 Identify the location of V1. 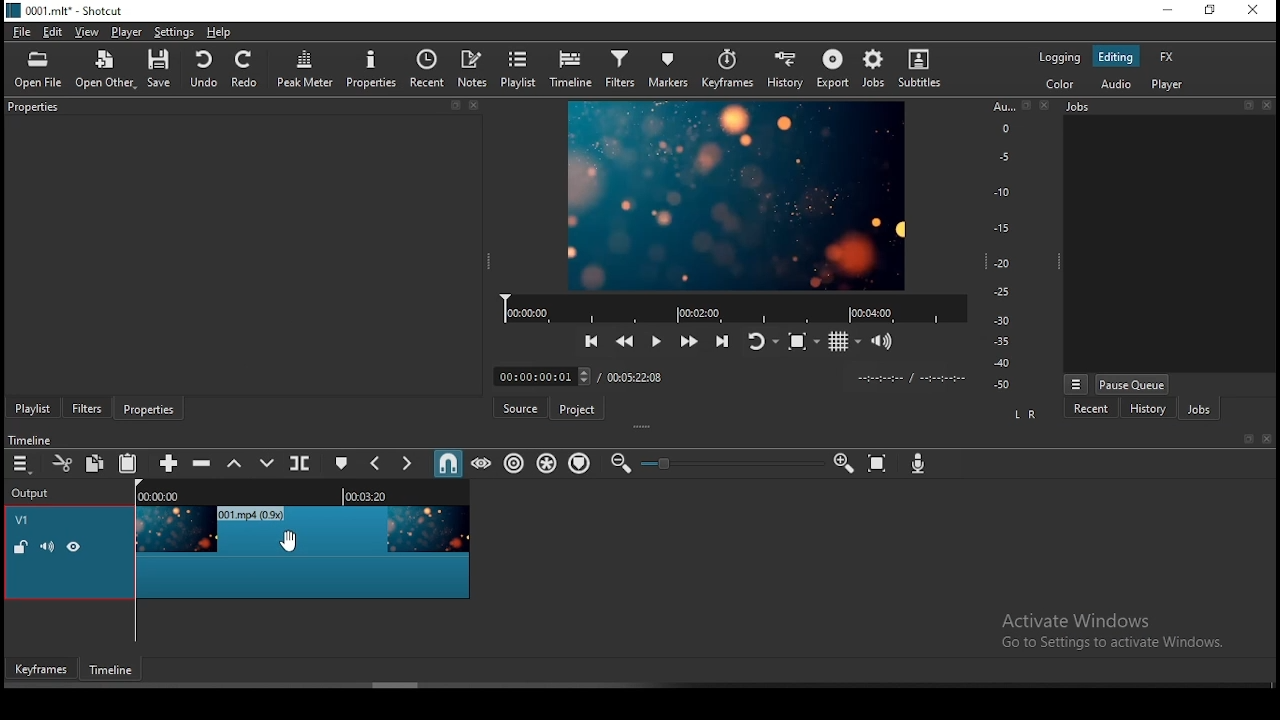
(26, 517).